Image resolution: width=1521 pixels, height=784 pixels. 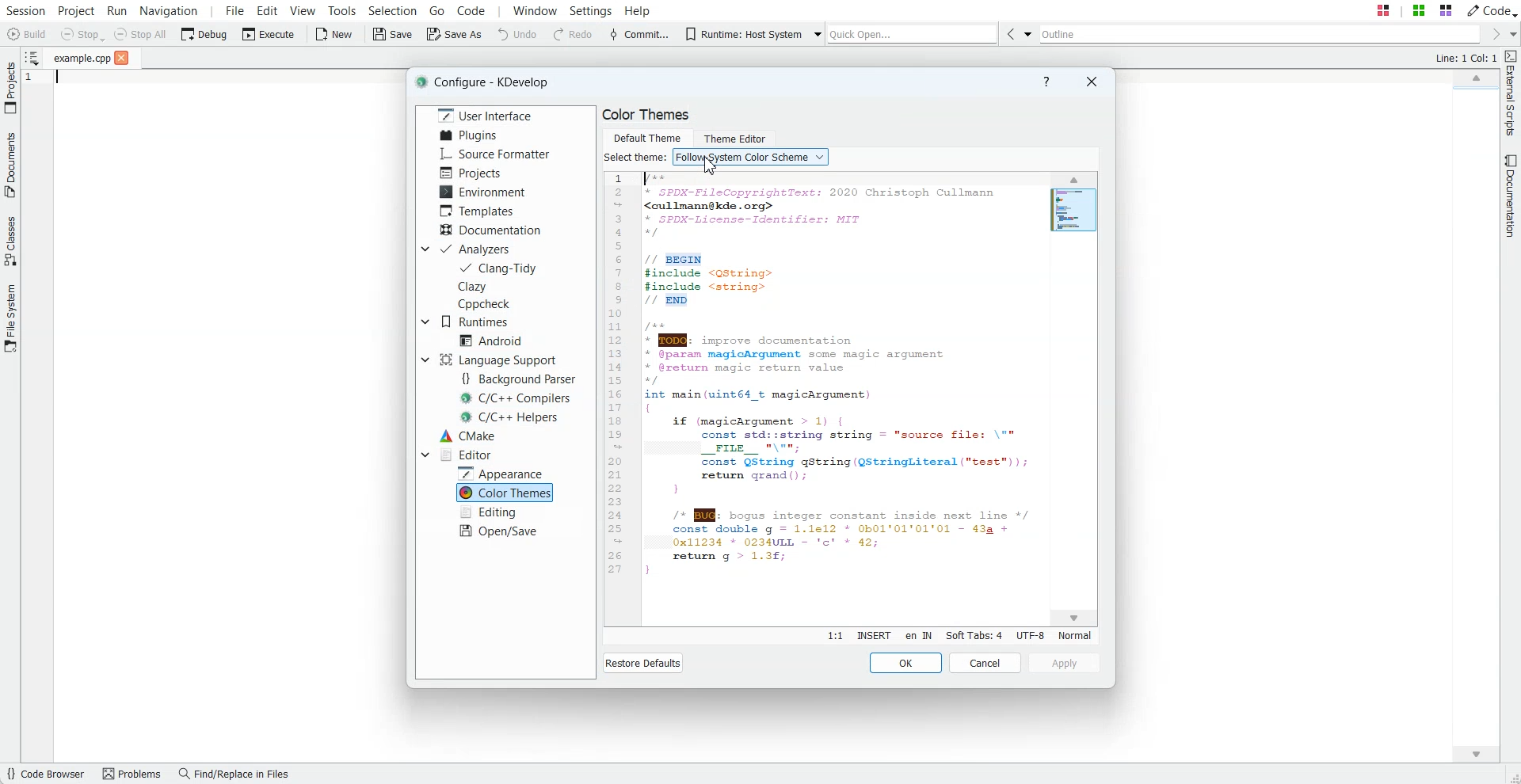 What do you see at coordinates (504, 473) in the screenshot?
I see `Apperarnce` at bounding box center [504, 473].